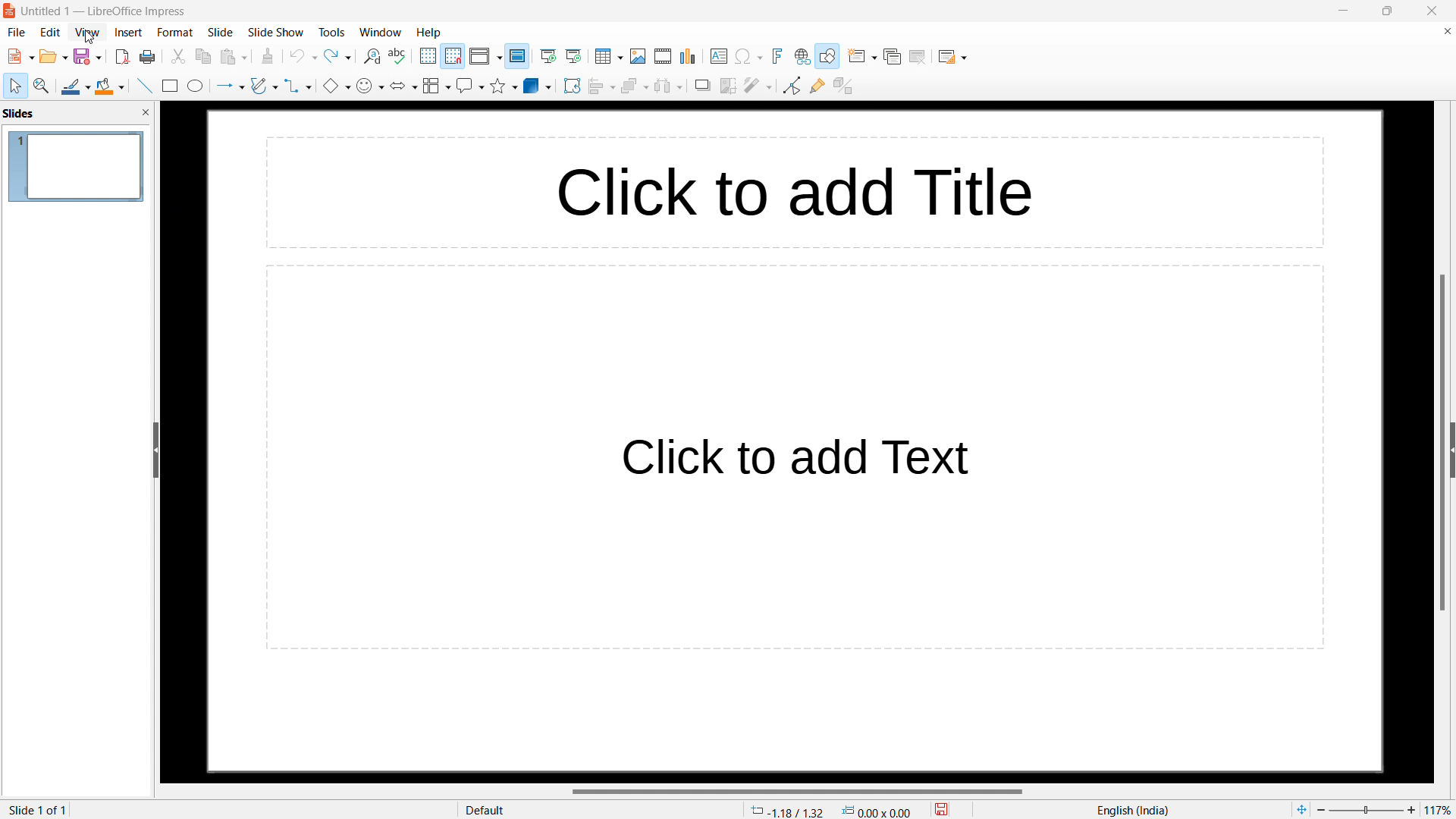 Image resolution: width=1456 pixels, height=819 pixels. I want to click on callout shapes, so click(470, 86).